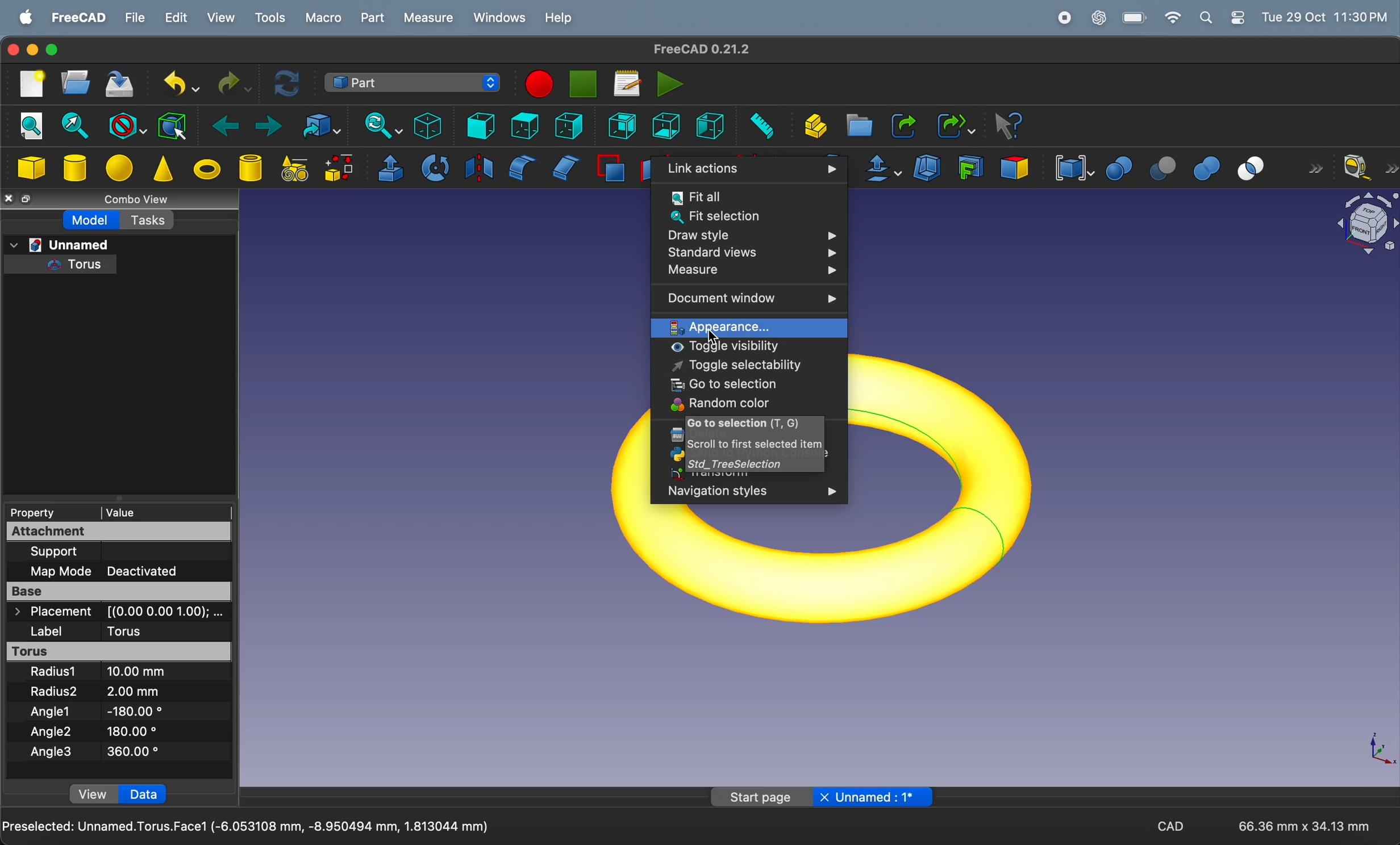 Image resolution: width=1400 pixels, height=845 pixels. What do you see at coordinates (435, 169) in the screenshot?
I see `revolve` at bounding box center [435, 169].